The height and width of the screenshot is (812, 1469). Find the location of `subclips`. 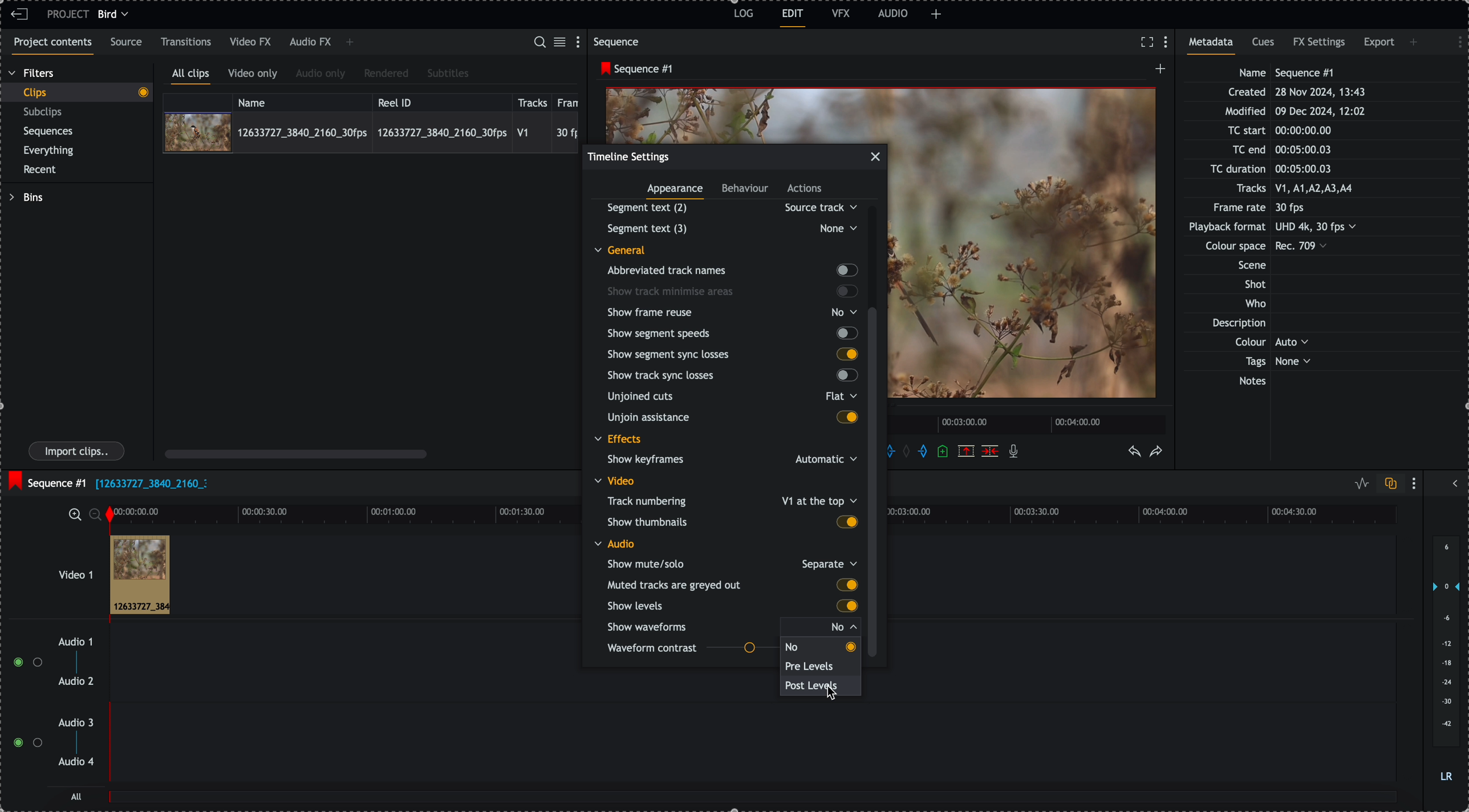

subclips is located at coordinates (45, 112).